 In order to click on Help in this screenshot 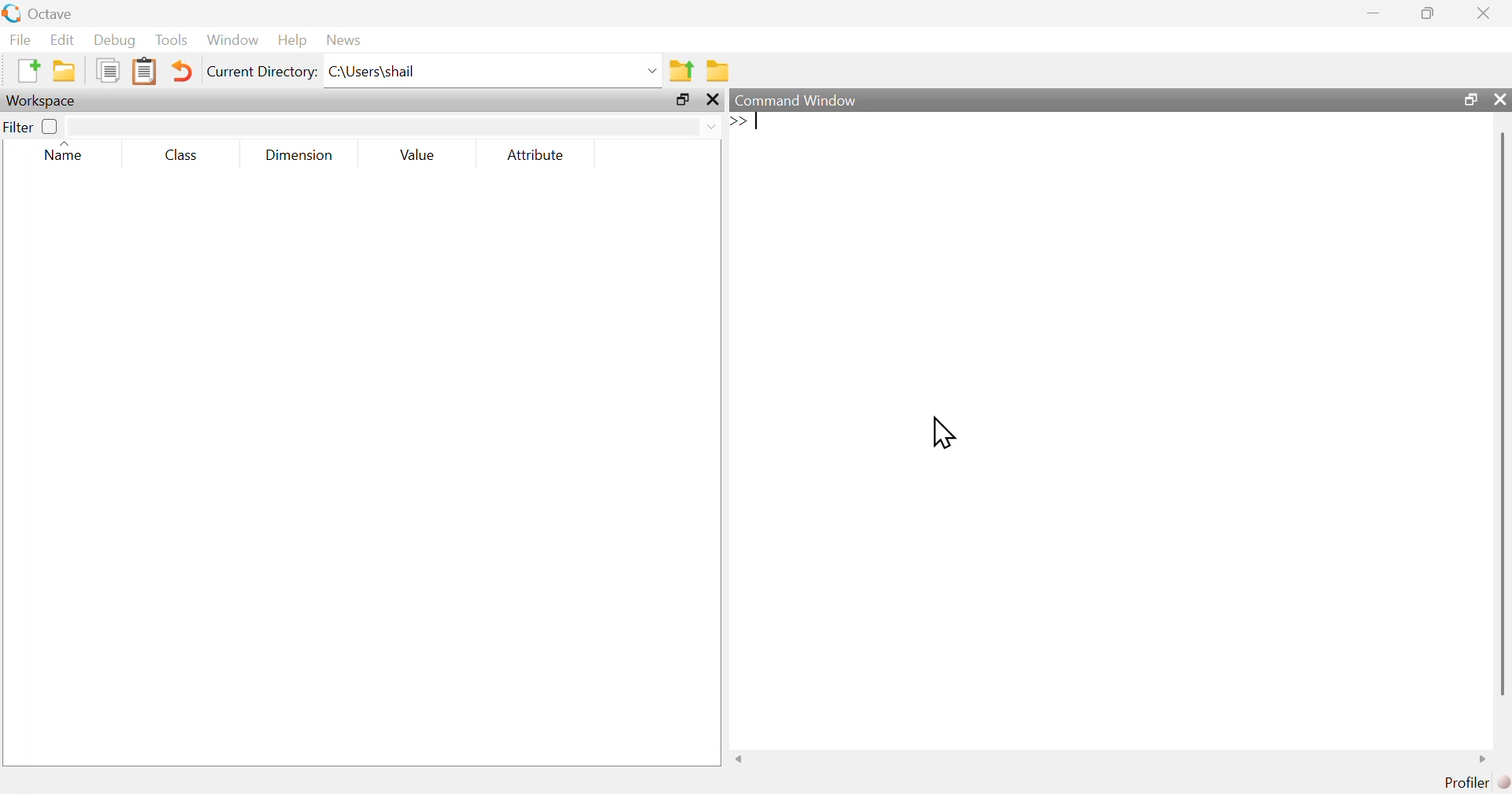, I will do `click(291, 41)`.